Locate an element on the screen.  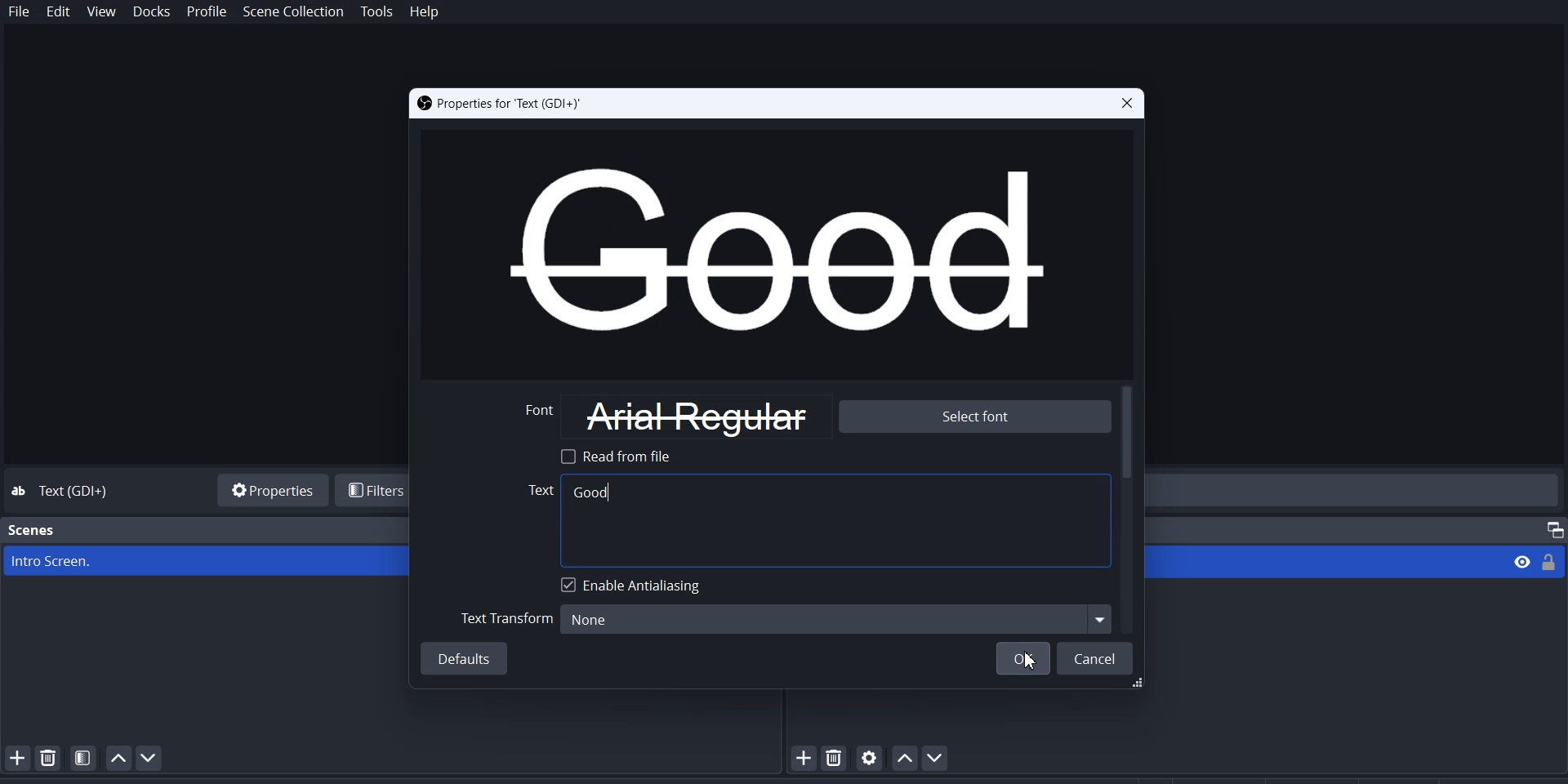
Remove selected Source is located at coordinates (836, 758).